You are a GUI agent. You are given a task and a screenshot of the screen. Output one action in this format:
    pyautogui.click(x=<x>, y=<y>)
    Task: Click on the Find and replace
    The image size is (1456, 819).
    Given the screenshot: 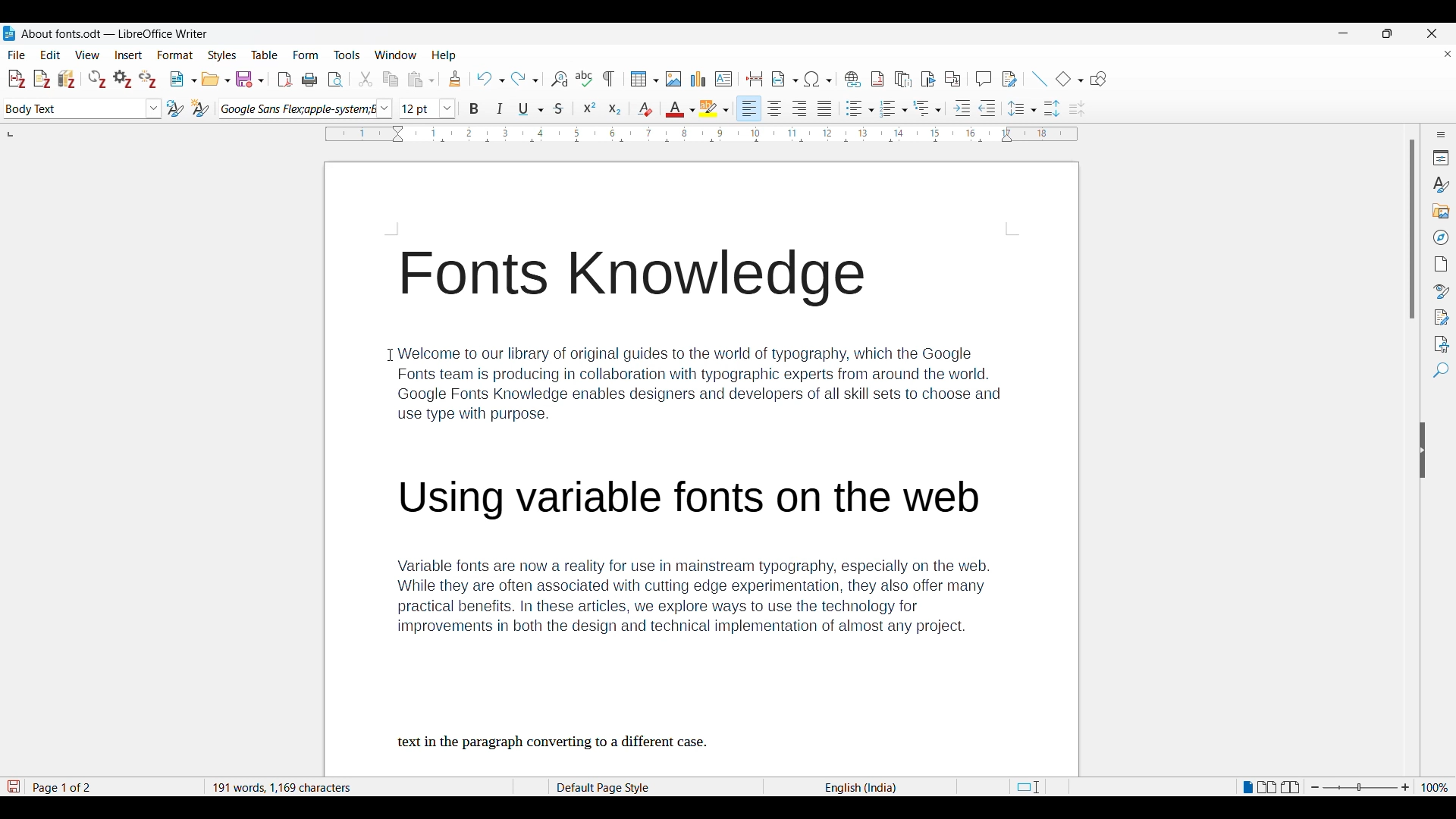 What is the action you would take?
    pyautogui.click(x=559, y=79)
    